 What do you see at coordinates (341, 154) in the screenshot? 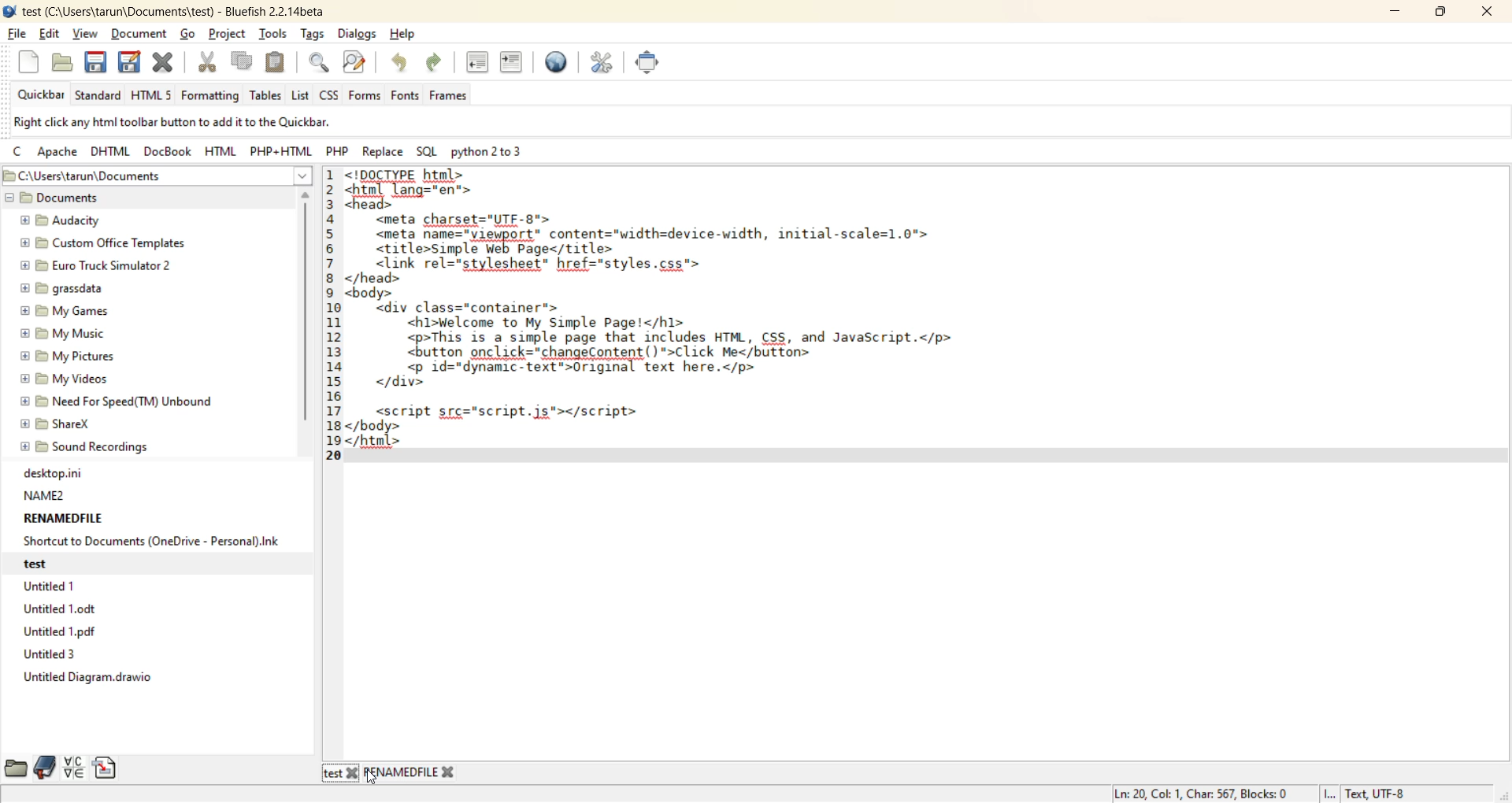
I see `php` at bounding box center [341, 154].